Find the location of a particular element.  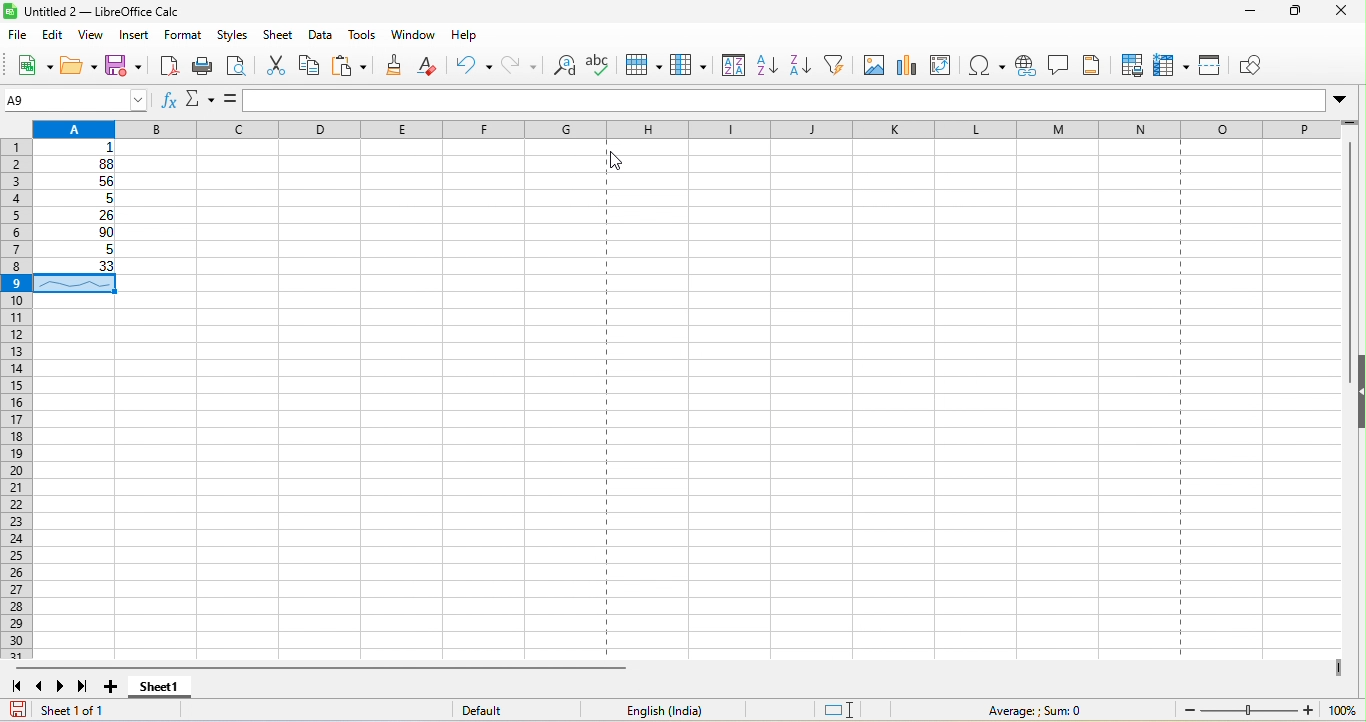

help is located at coordinates (465, 39).